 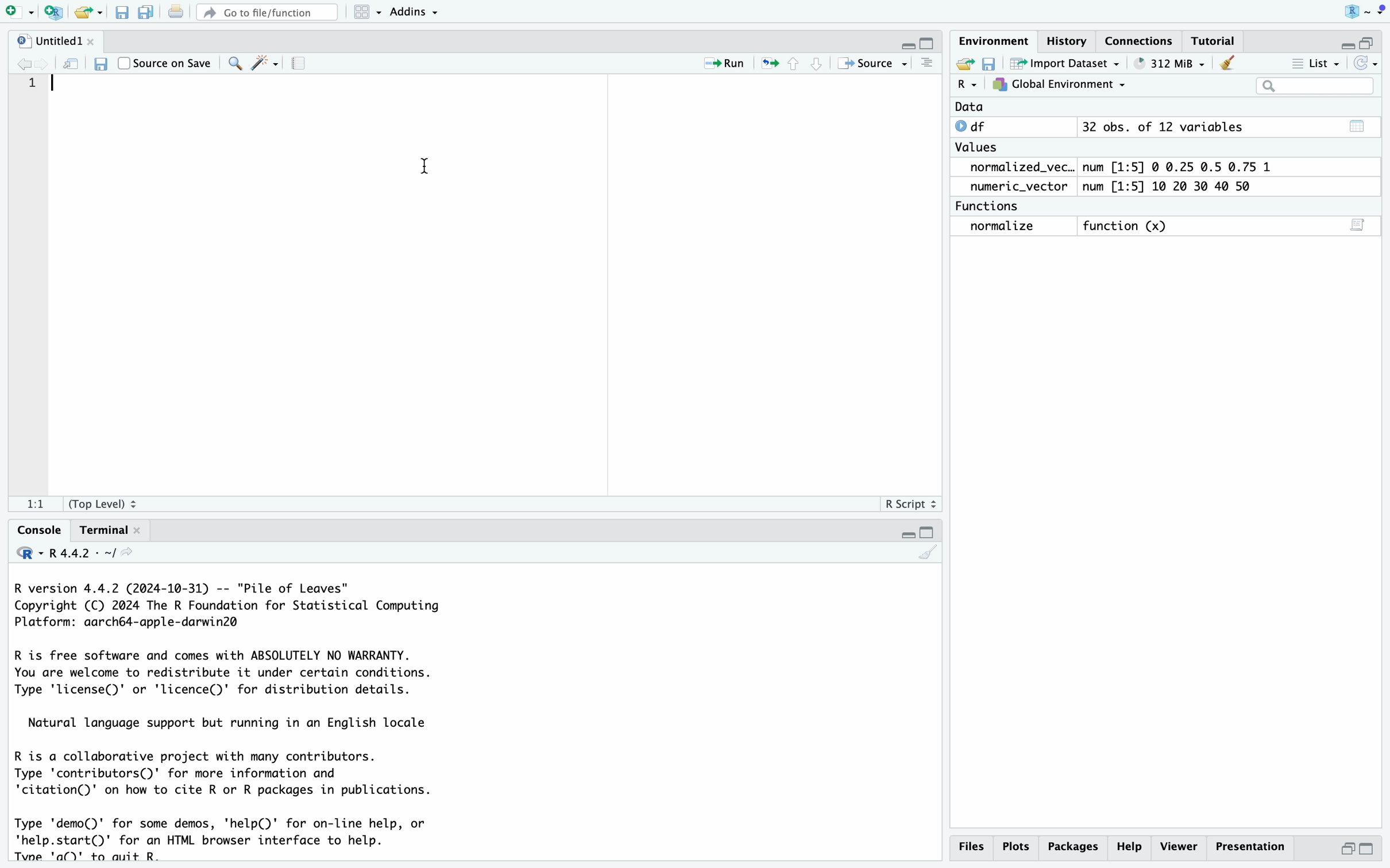 What do you see at coordinates (967, 84) in the screenshot?
I see `R ` at bounding box center [967, 84].